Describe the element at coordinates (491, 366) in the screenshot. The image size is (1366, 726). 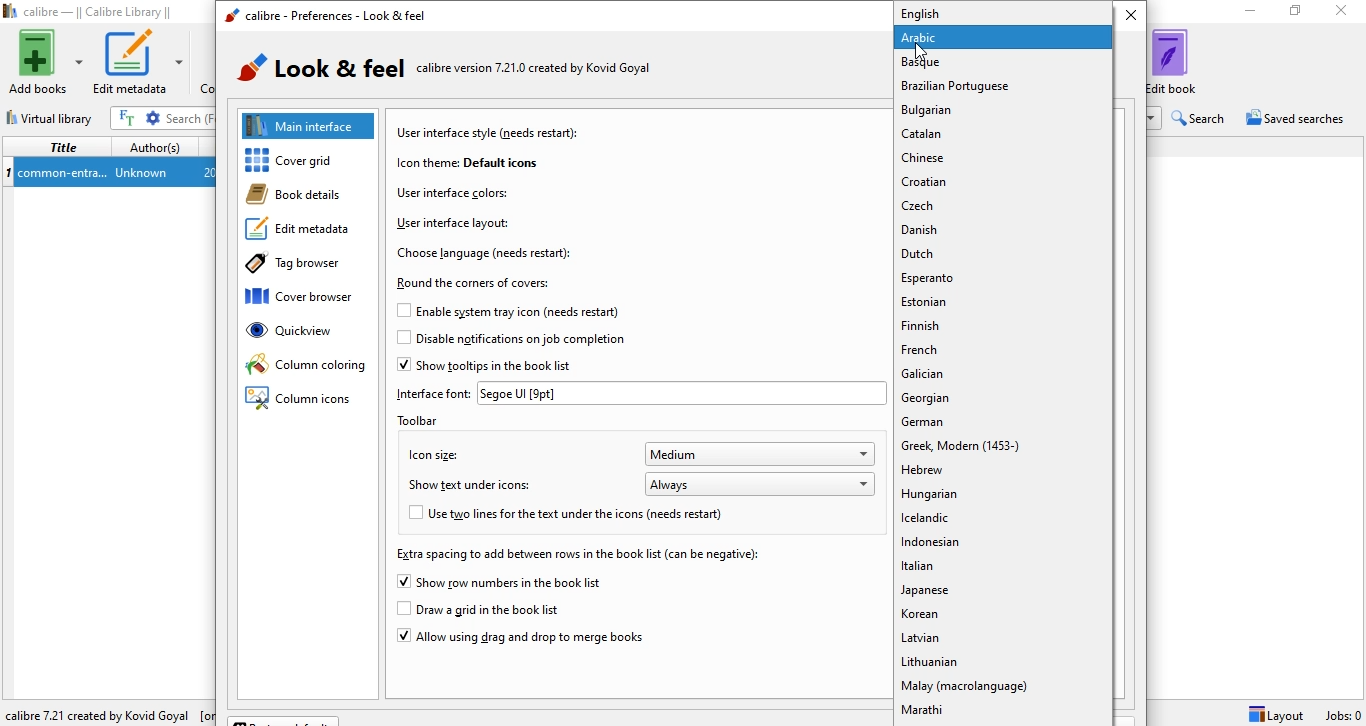
I see `show tooltips in the book list` at that location.